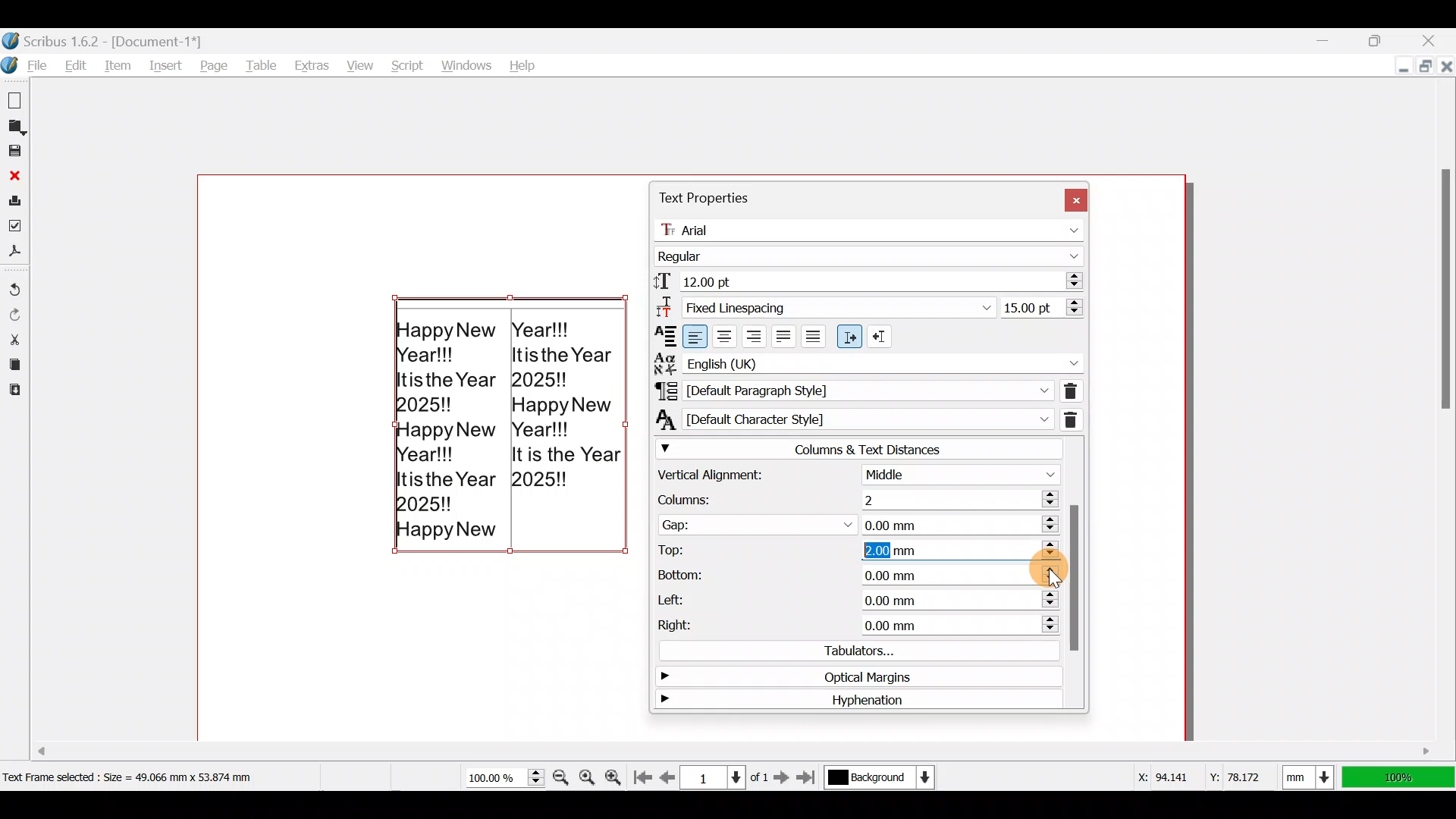 The height and width of the screenshot is (819, 1456). What do you see at coordinates (810, 778) in the screenshot?
I see `Go to the last page` at bounding box center [810, 778].